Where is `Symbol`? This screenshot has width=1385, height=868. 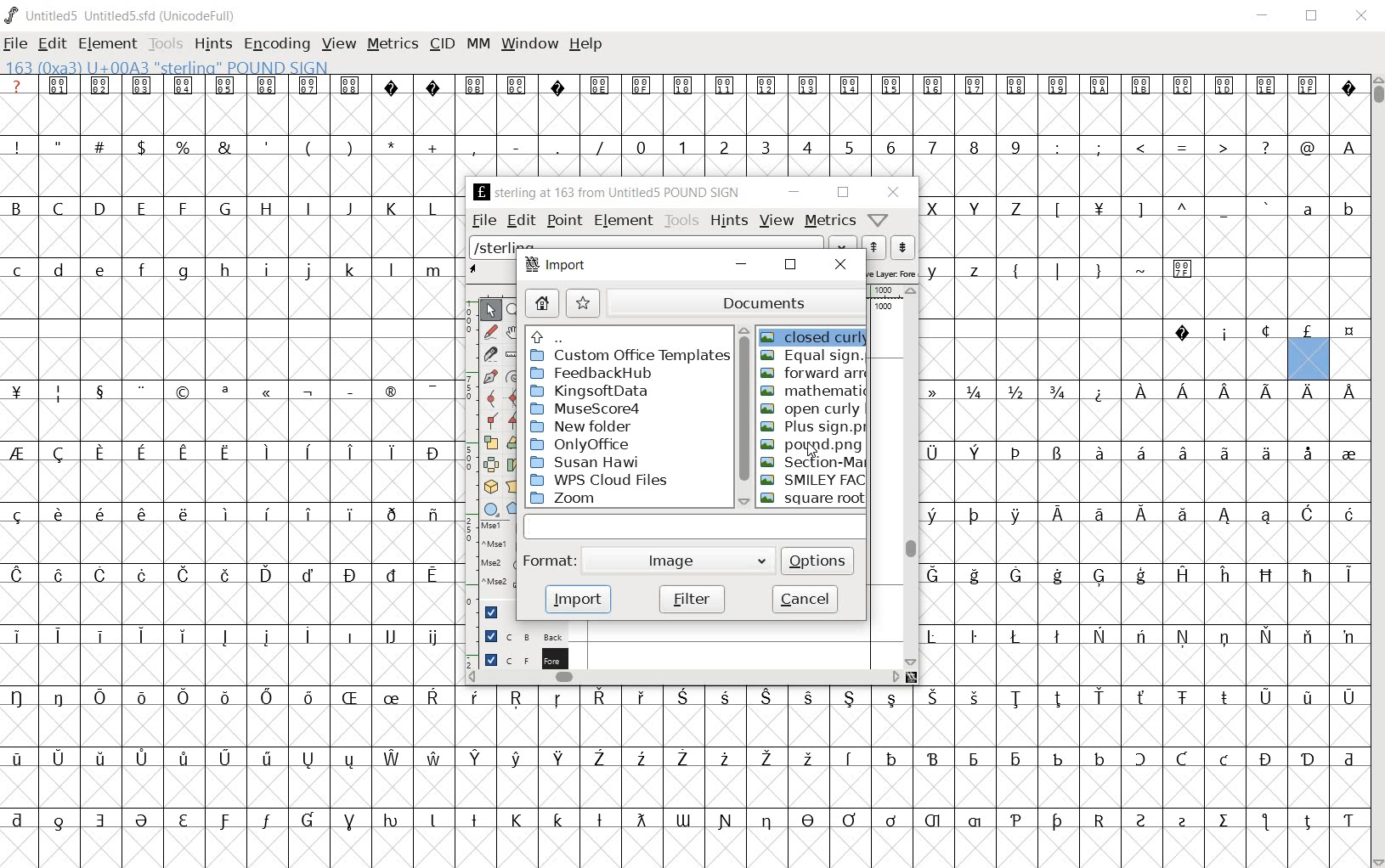 Symbol is located at coordinates (20, 576).